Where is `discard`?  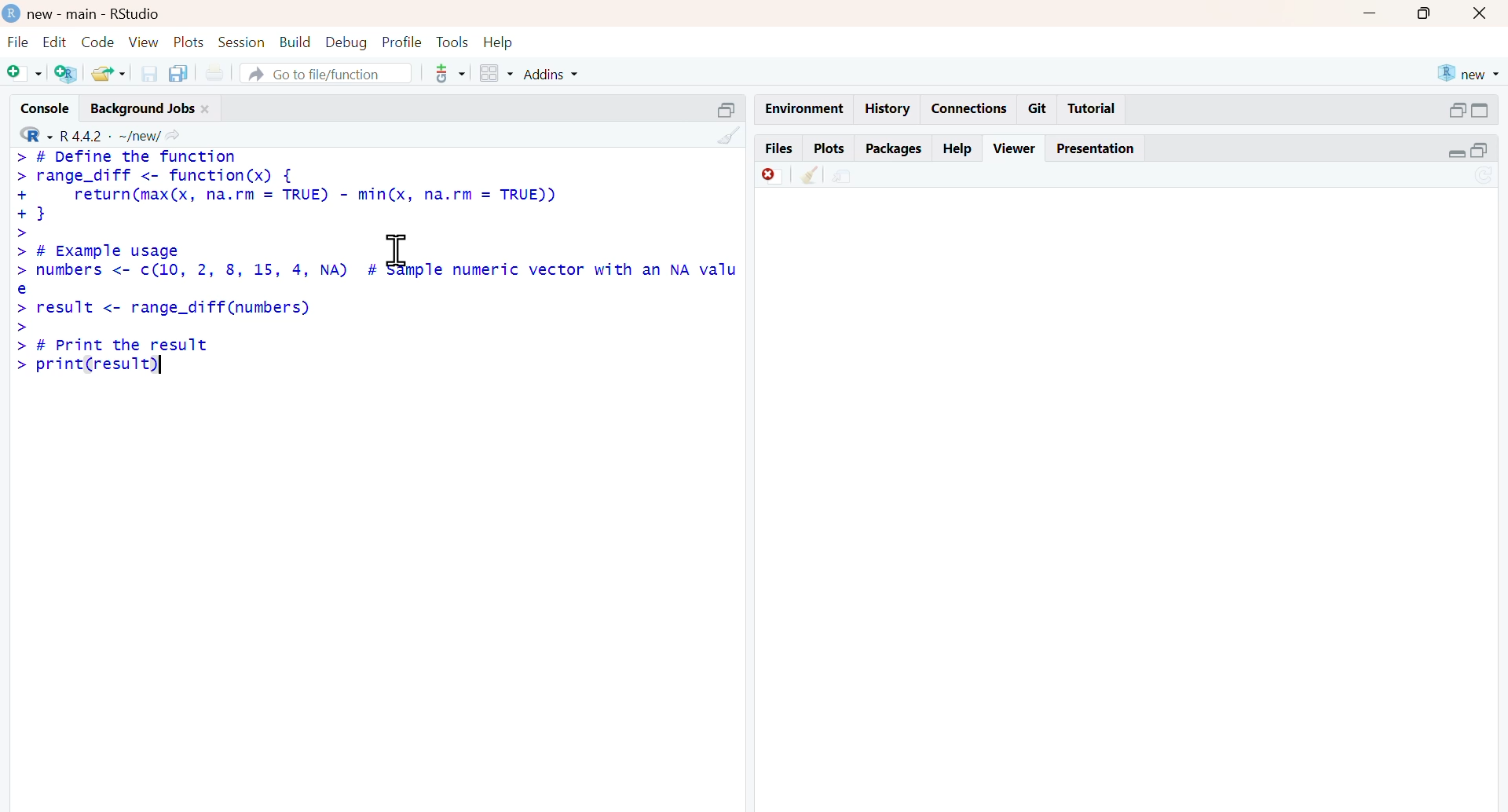
discard is located at coordinates (774, 177).